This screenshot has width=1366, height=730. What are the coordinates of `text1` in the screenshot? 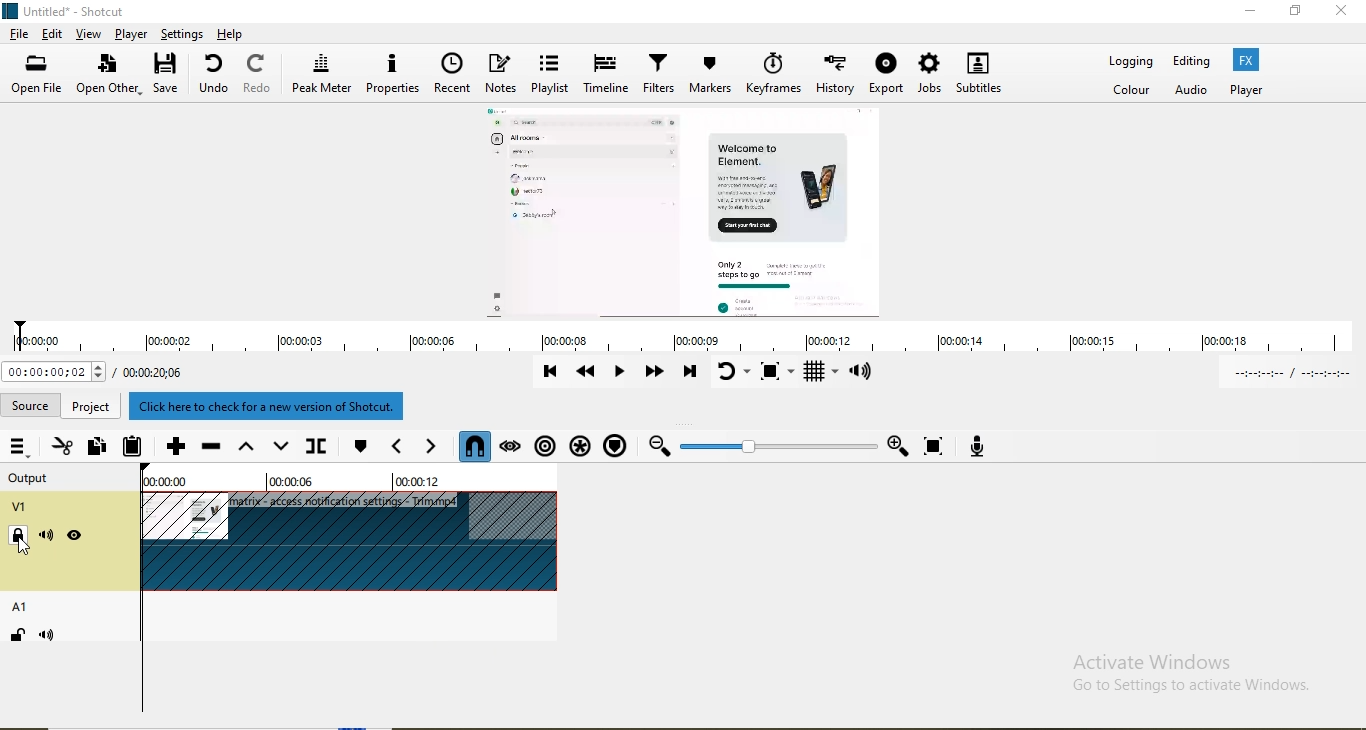 It's located at (277, 407).